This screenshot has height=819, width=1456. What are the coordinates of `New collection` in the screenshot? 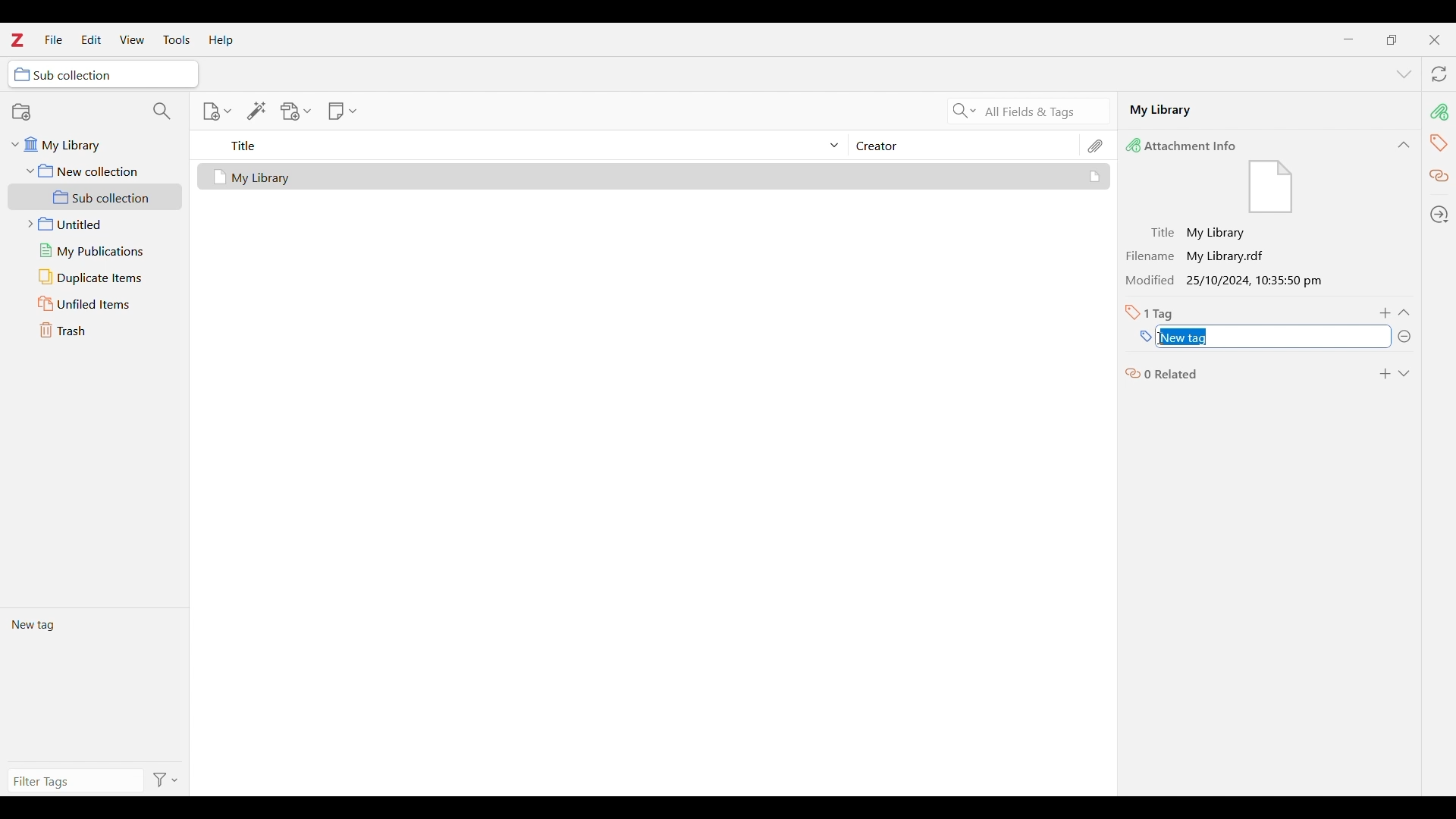 It's located at (21, 111).